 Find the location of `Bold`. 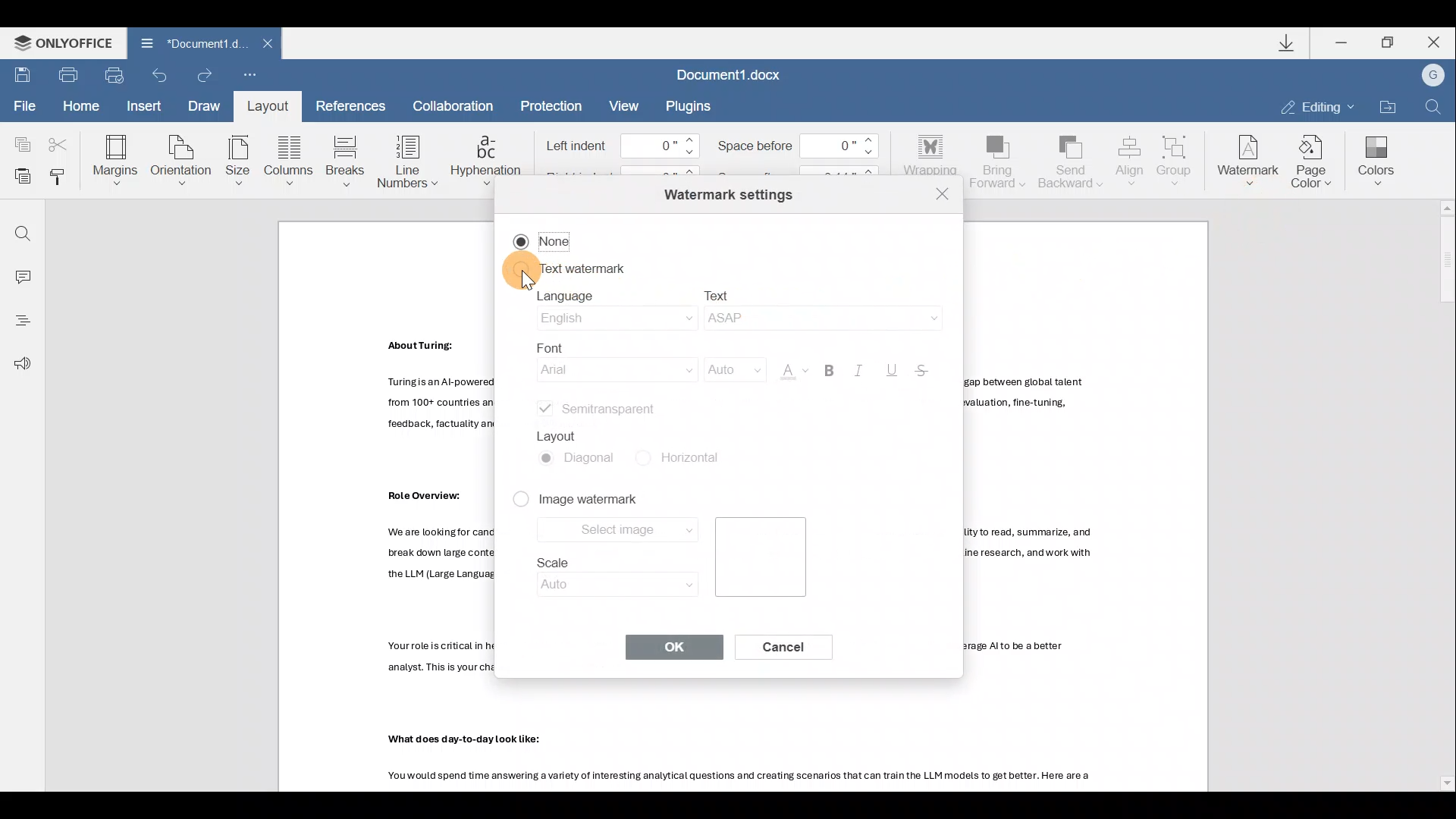

Bold is located at coordinates (833, 367).